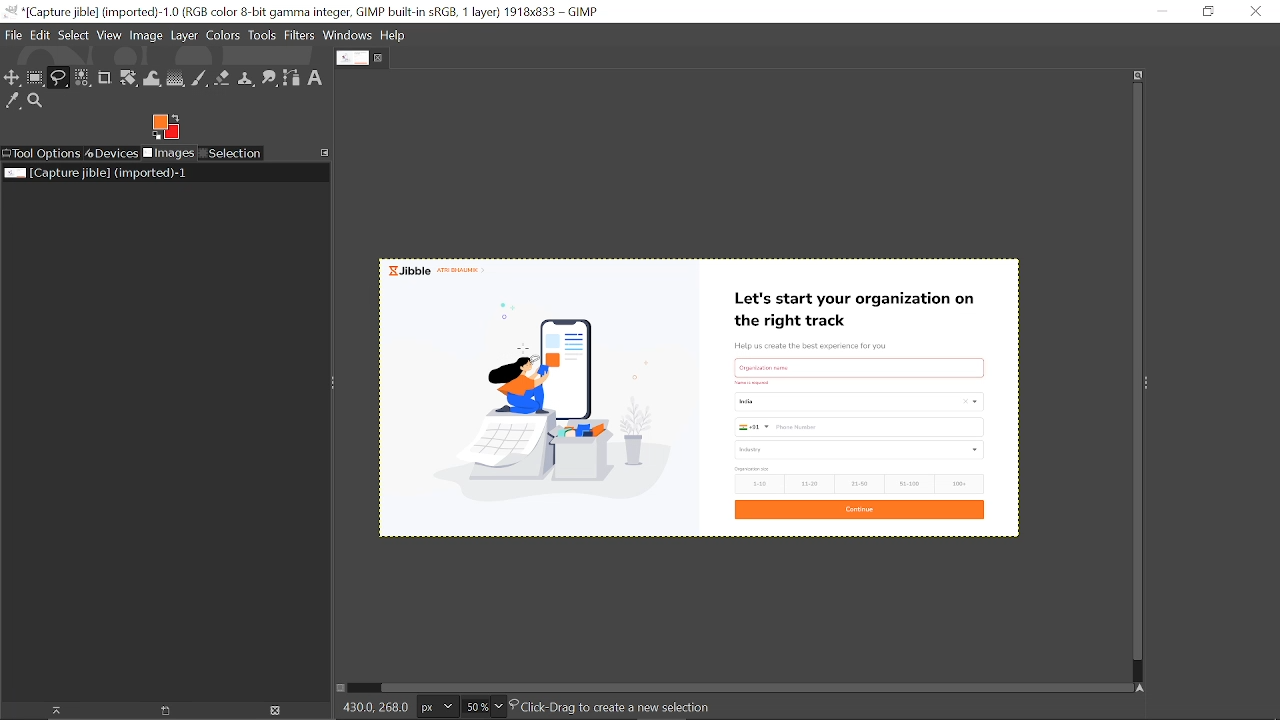  I want to click on Paintbrush tool, so click(200, 79).